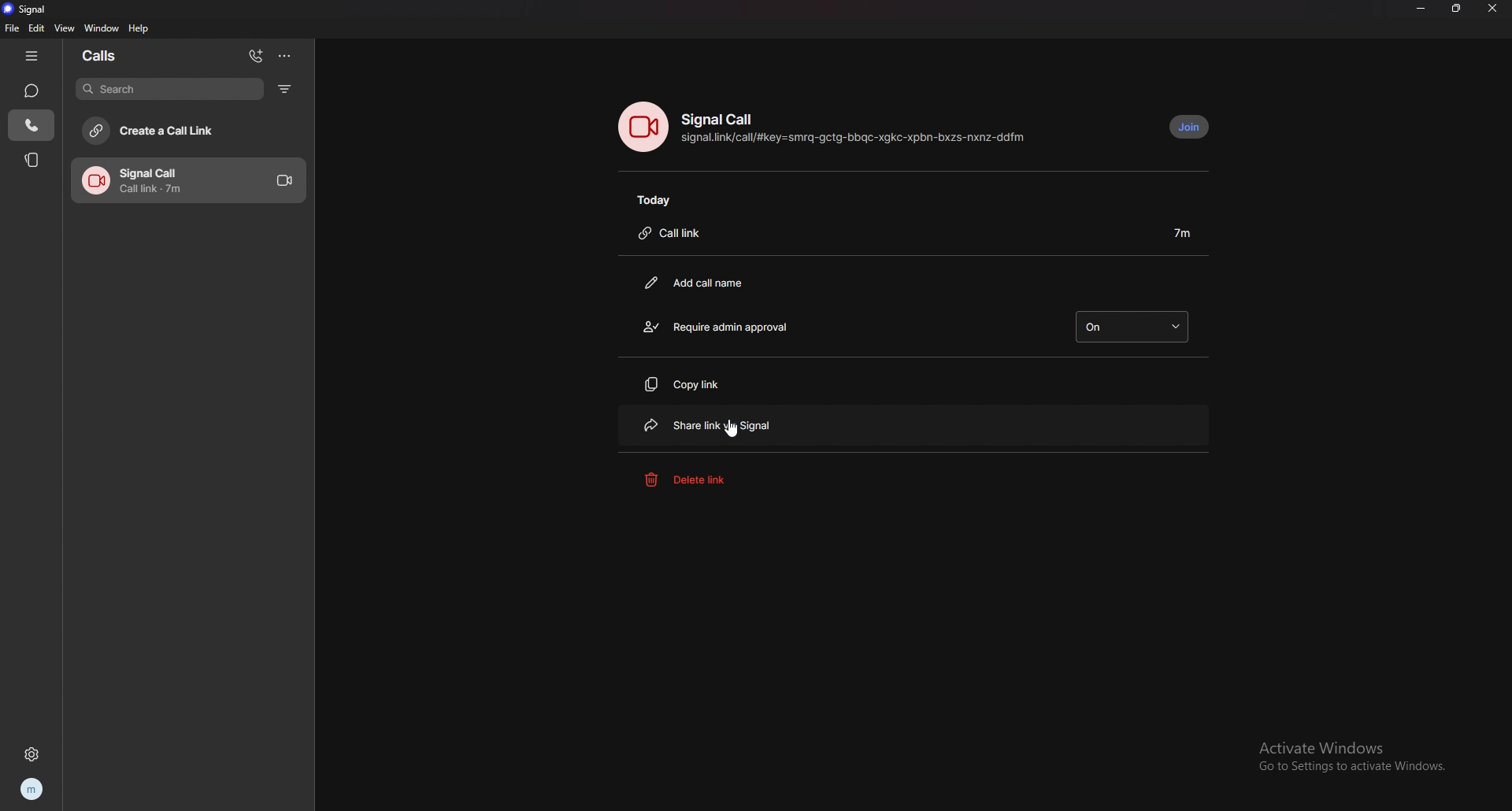  What do you see at coordinates (32, 91) in the screenshot?
I see `chats` at bounding box center [32, 91].